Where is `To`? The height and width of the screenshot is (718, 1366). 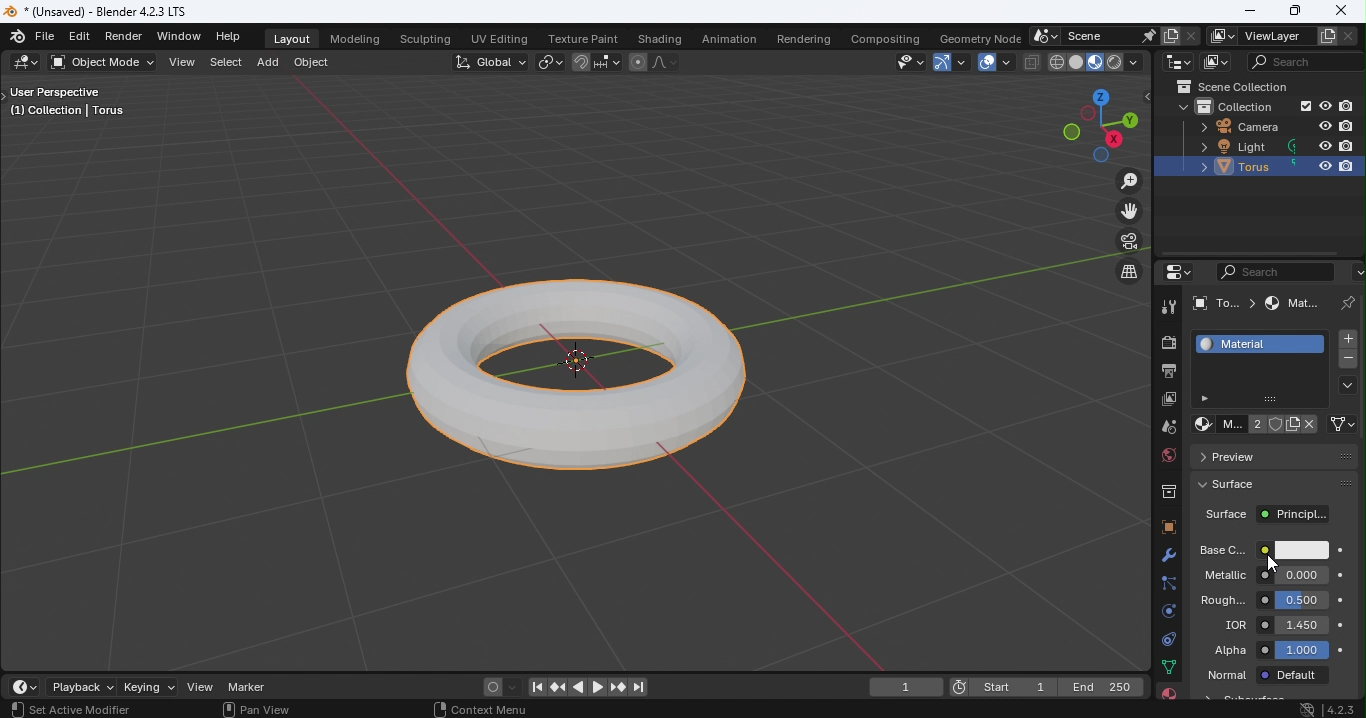 To is located at coordinates (1223, 302).